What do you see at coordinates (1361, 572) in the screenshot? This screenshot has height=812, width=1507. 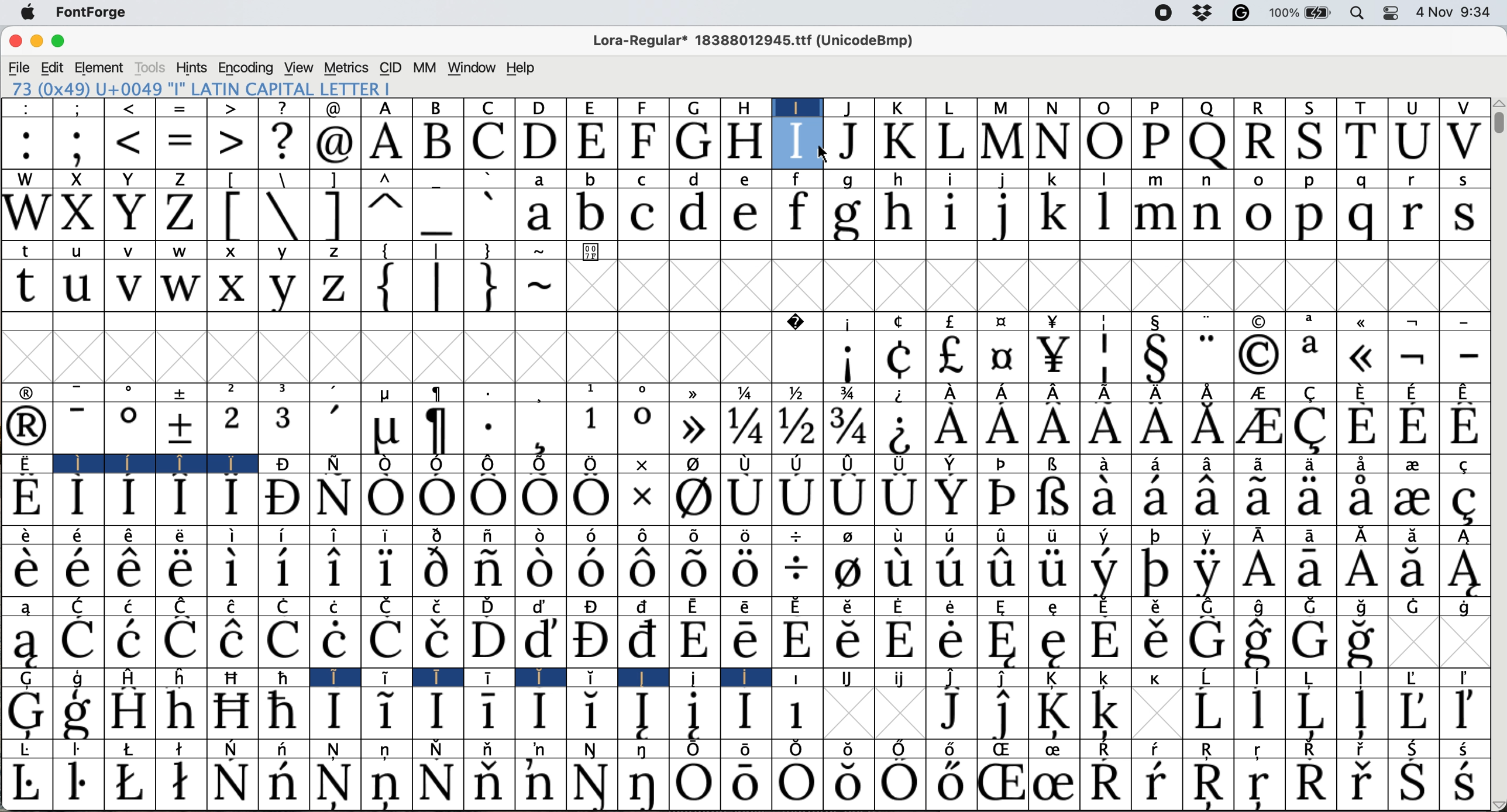 I see `Symbol` at bounding box center [1361, 572].